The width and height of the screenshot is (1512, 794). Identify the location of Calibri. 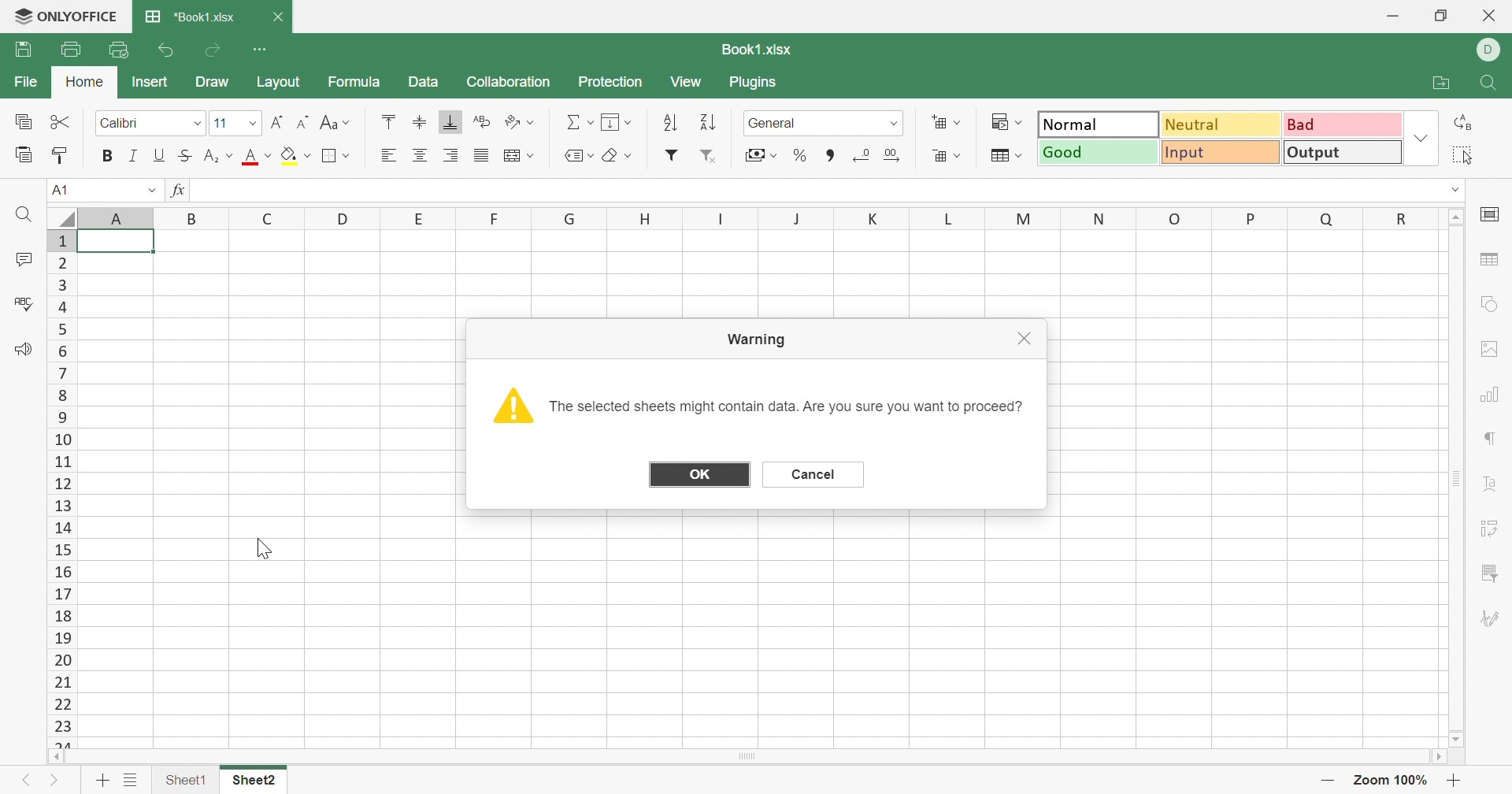
(120, 121).